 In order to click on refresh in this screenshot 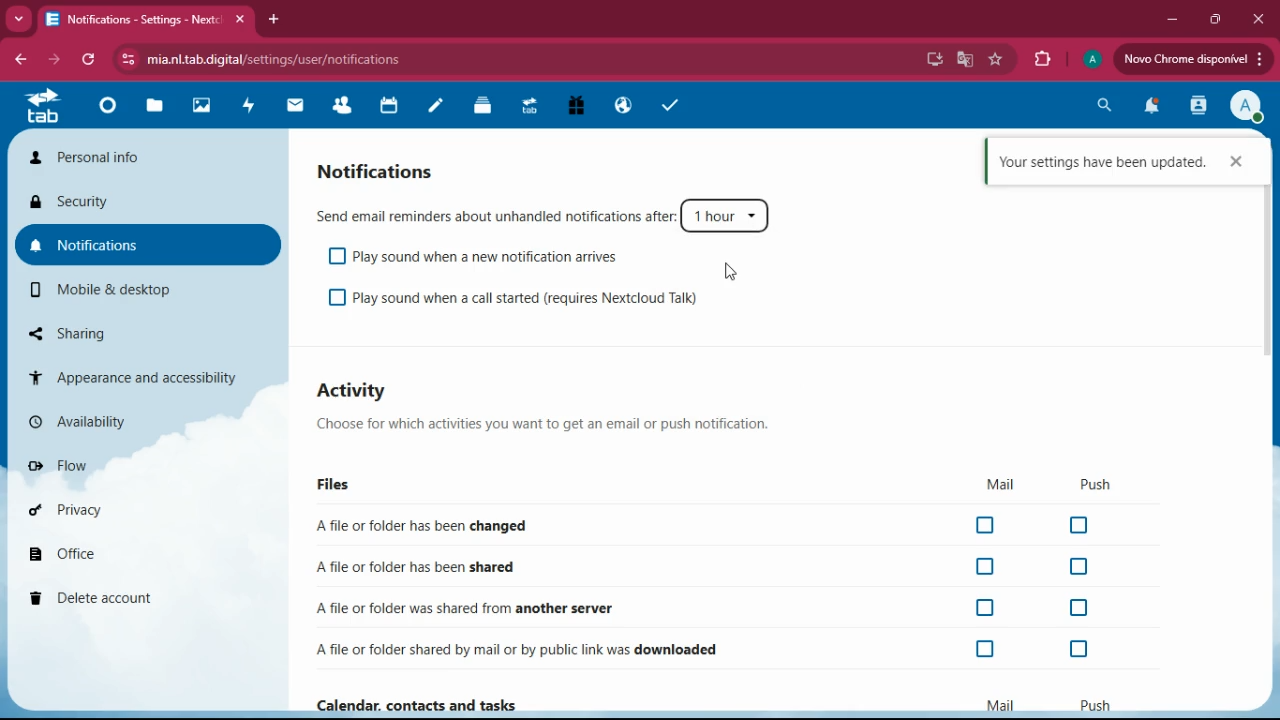, I will do `click(90, 60)`.